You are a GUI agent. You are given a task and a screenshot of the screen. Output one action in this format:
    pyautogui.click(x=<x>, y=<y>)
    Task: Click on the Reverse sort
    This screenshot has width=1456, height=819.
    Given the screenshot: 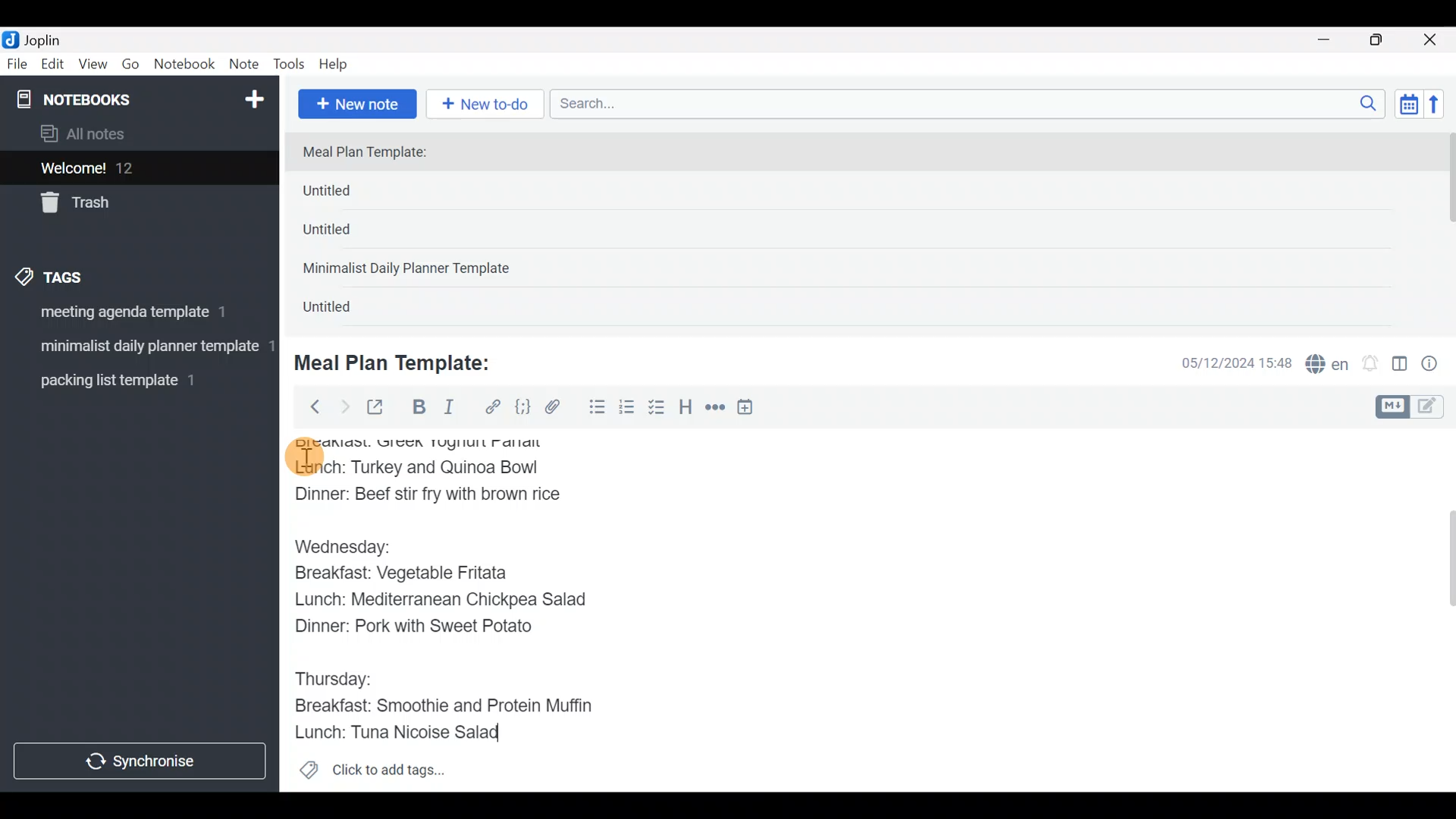 What is the action you would take?
    pyautogui.click(x=1442, y=108)
    